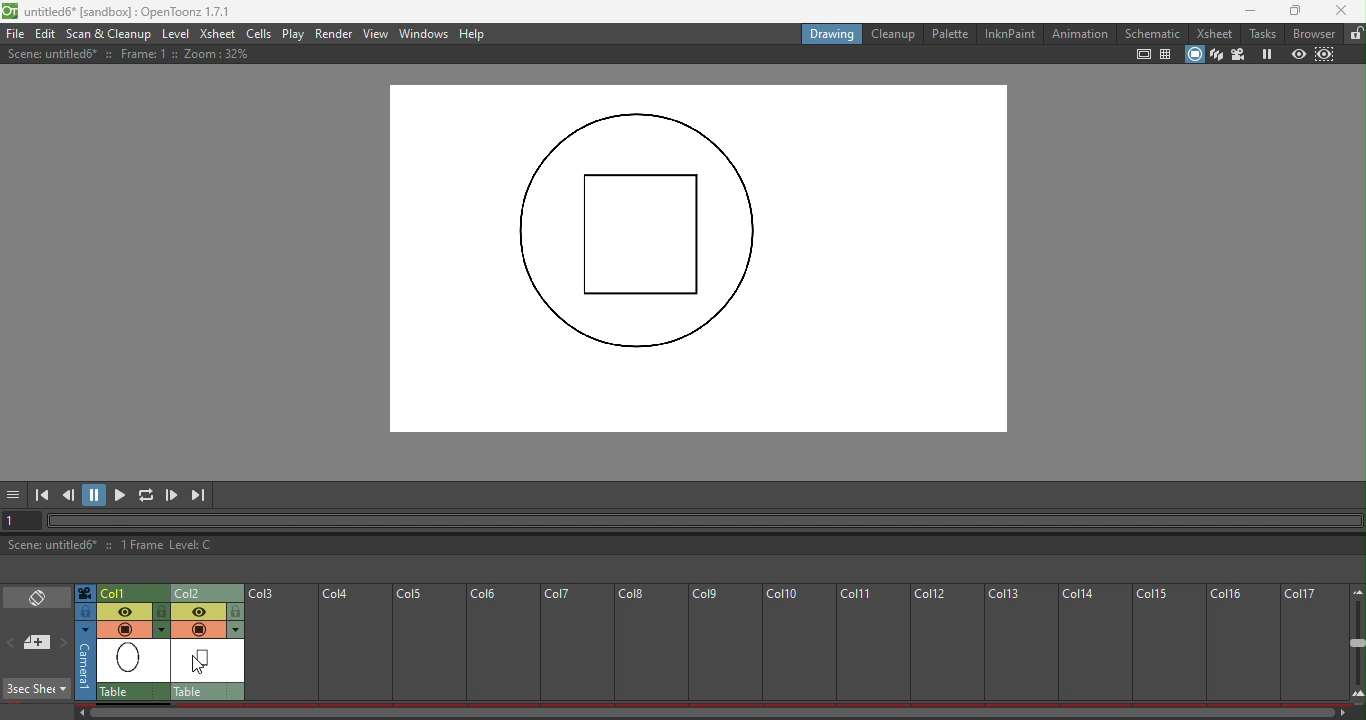  What do you see at coordinates (146, 495) in the screenshot?
I see `Loop` at bounding box center [146, 495].